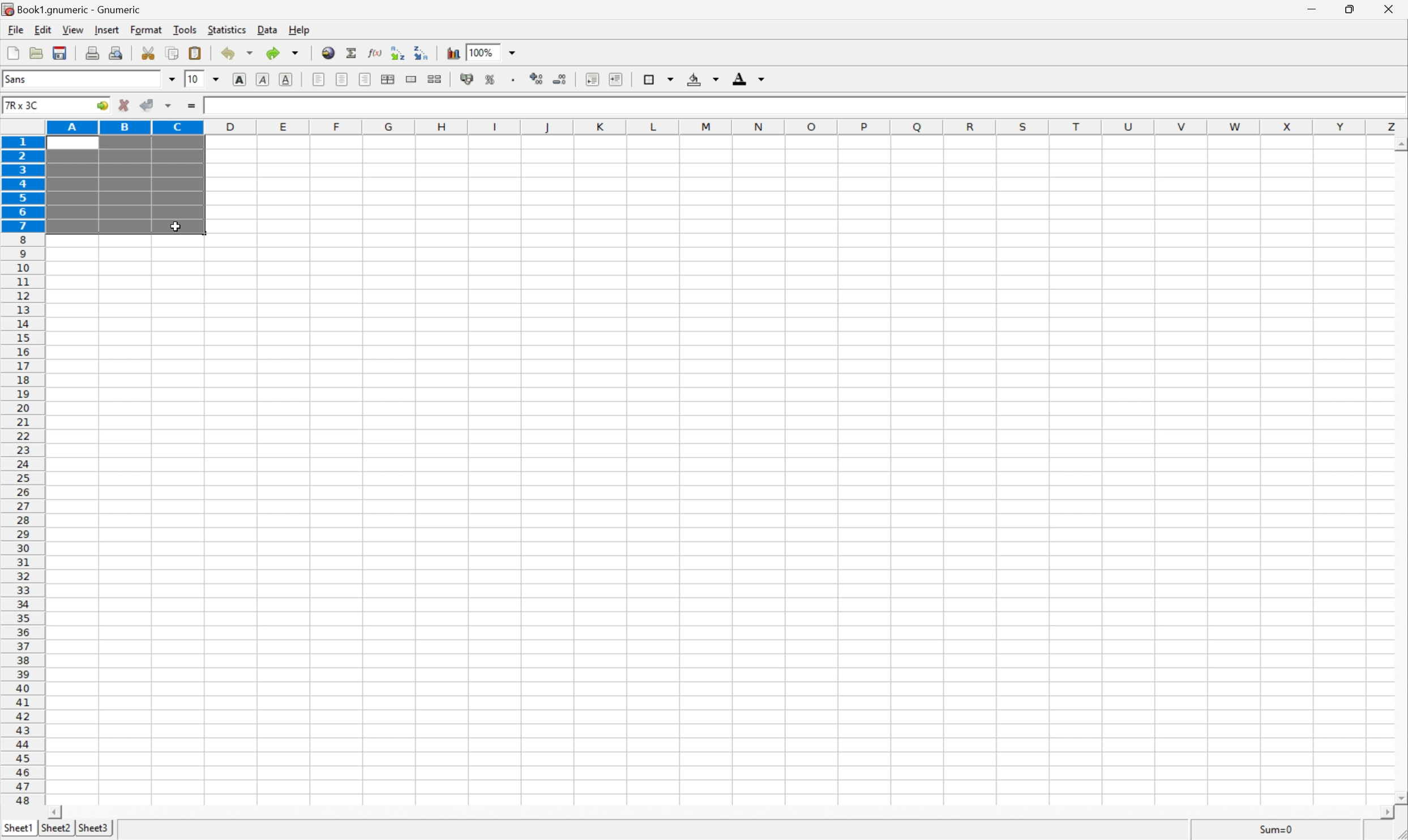  I want to click on view, so click(71, 31).